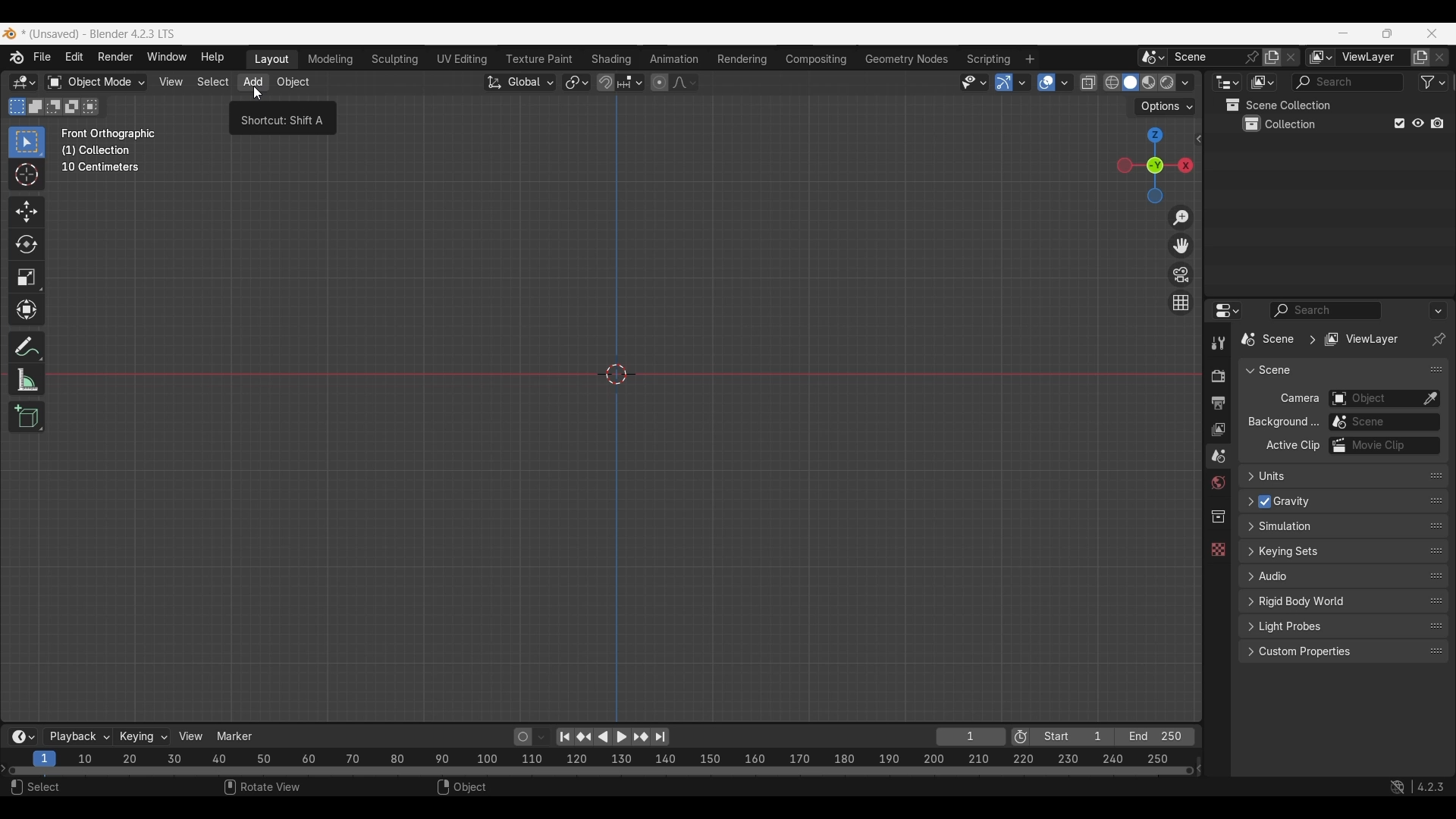  I want to click on Active movie clip, so click(1384, 445).